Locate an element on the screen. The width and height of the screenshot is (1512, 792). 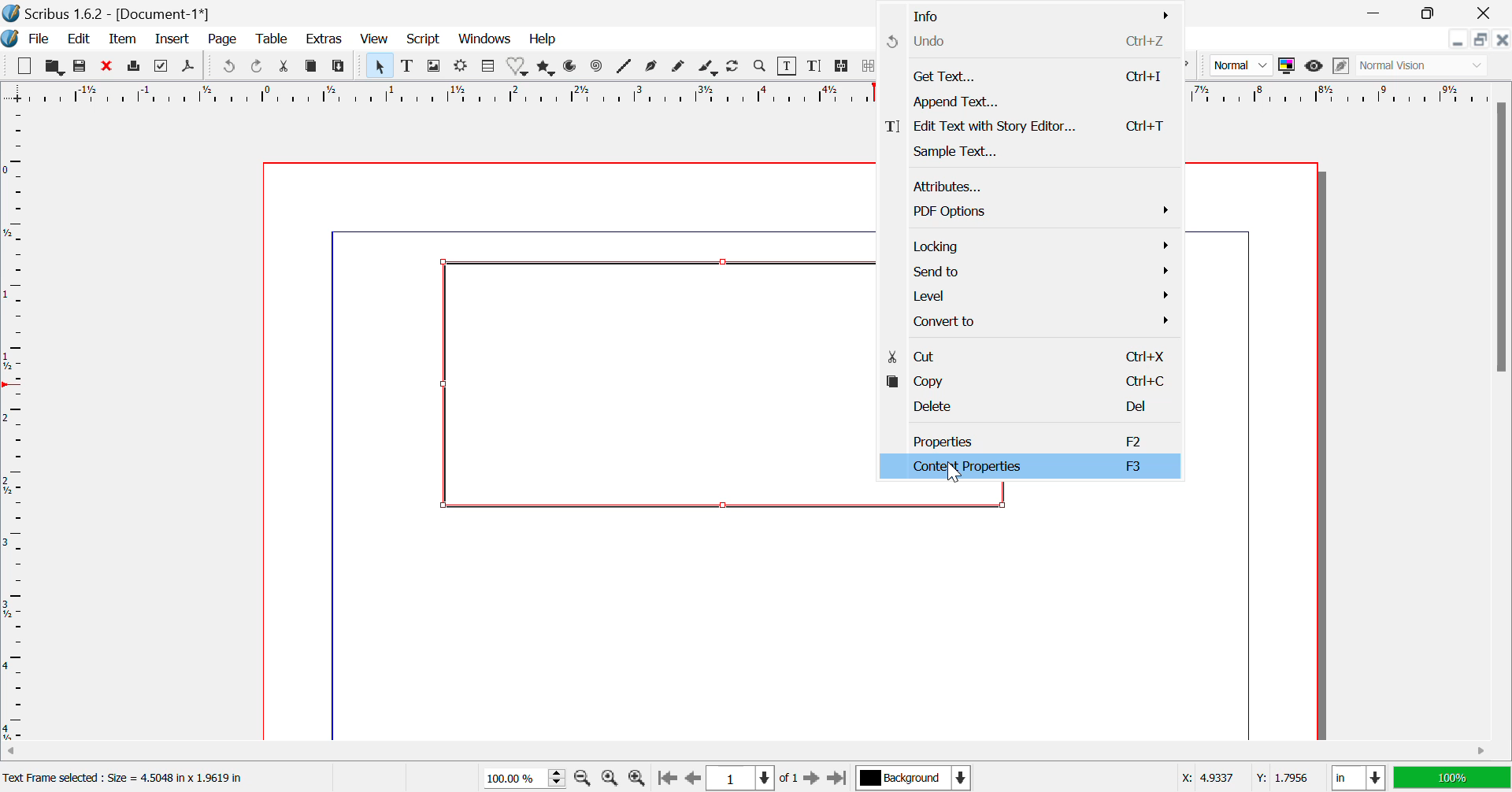
Help is located at coordinates (543, 40).